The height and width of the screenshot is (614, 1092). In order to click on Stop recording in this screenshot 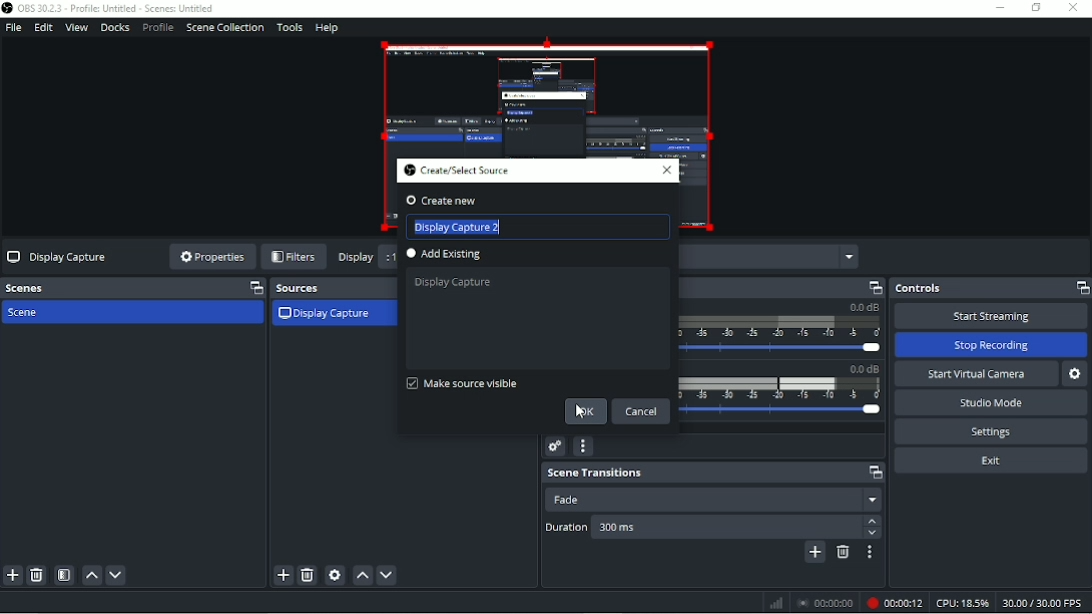, I will do `click(826, 602)`.